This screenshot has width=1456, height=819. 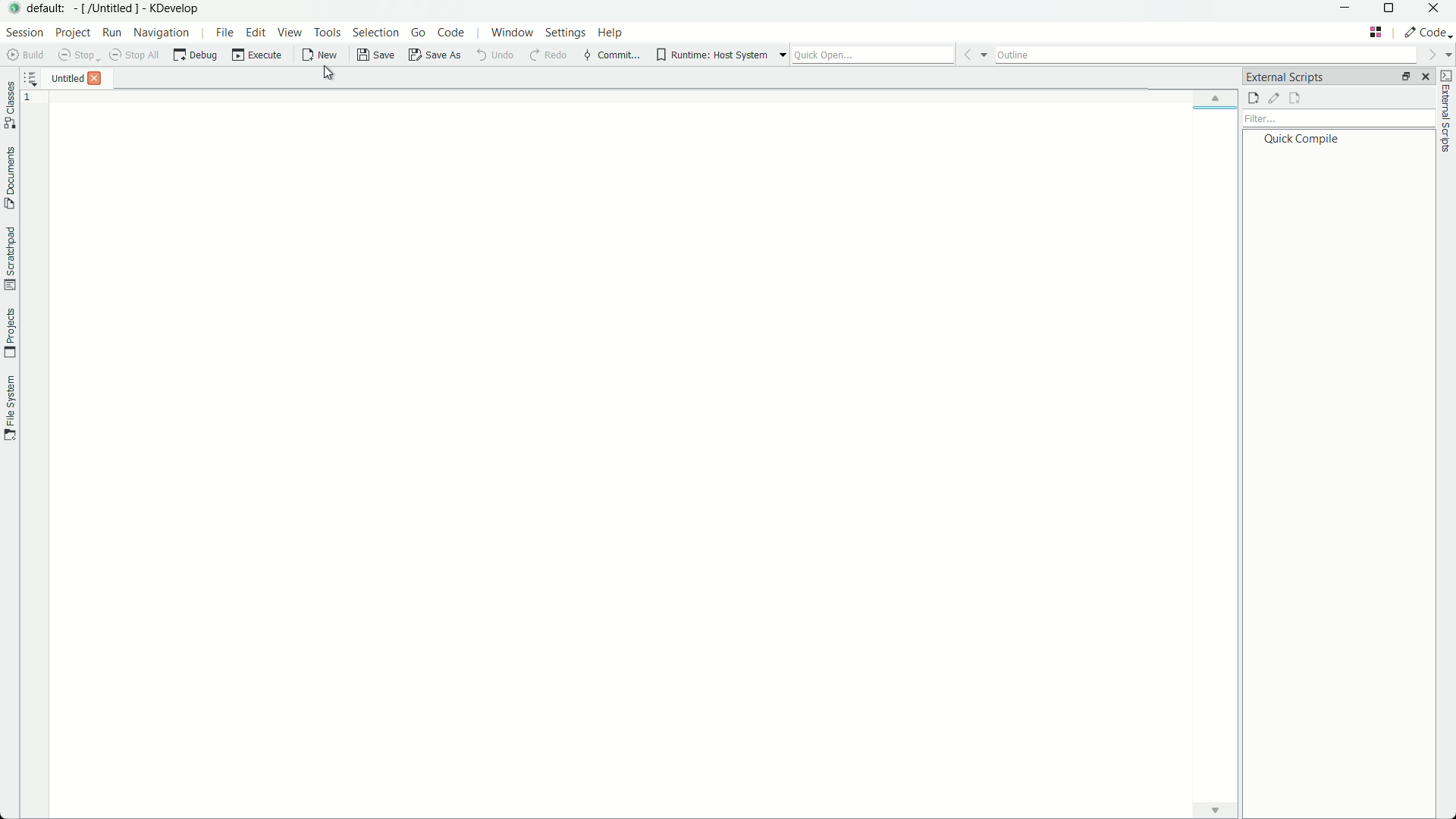 What do you see at coordinates (376, 32) in the screenshot?
I see `selection menu` at bounding box center [376, 32].